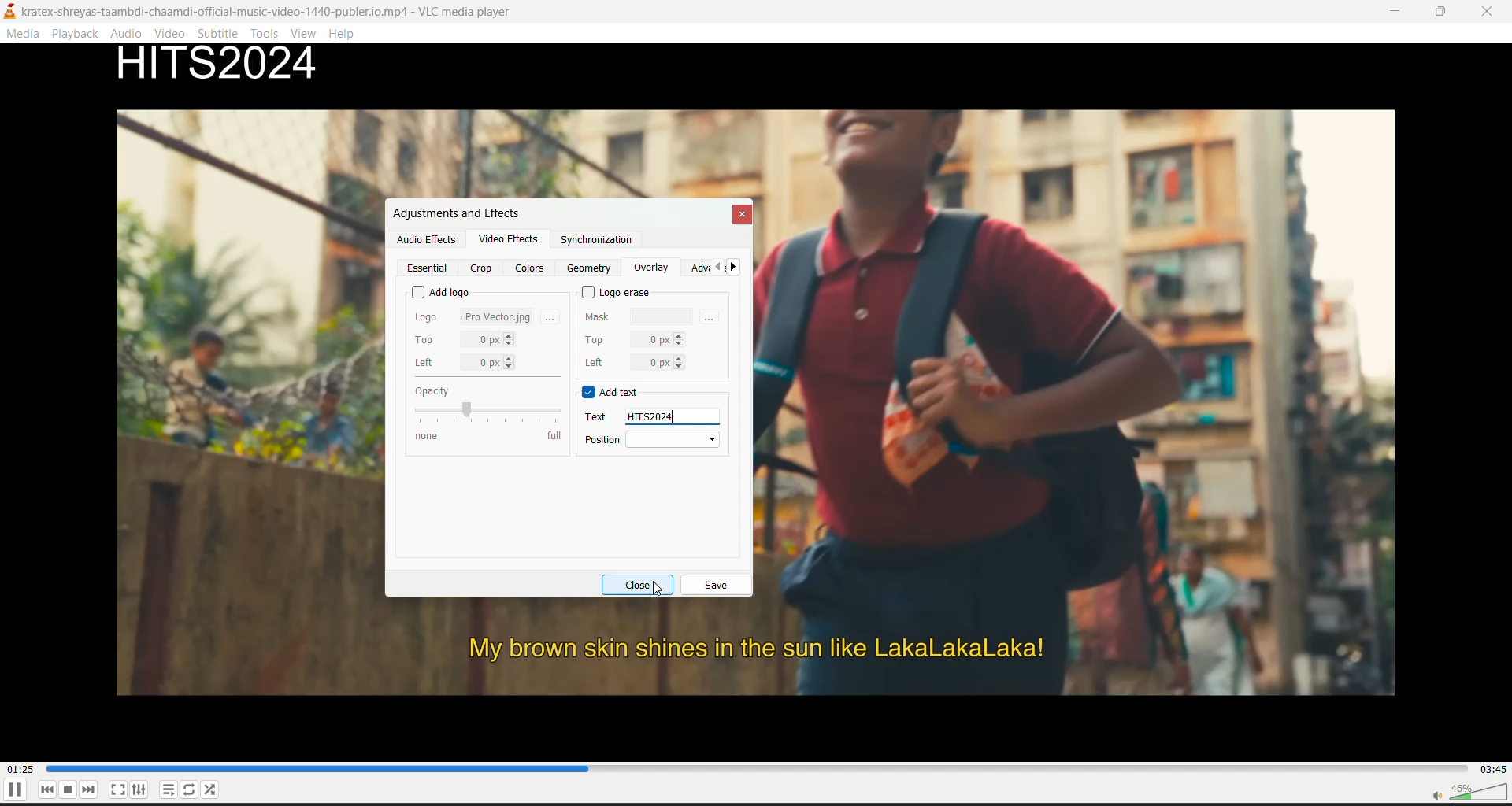  Describe the element at coordinates (1397, 11) in the screenshot. I see `minimize` at that location.